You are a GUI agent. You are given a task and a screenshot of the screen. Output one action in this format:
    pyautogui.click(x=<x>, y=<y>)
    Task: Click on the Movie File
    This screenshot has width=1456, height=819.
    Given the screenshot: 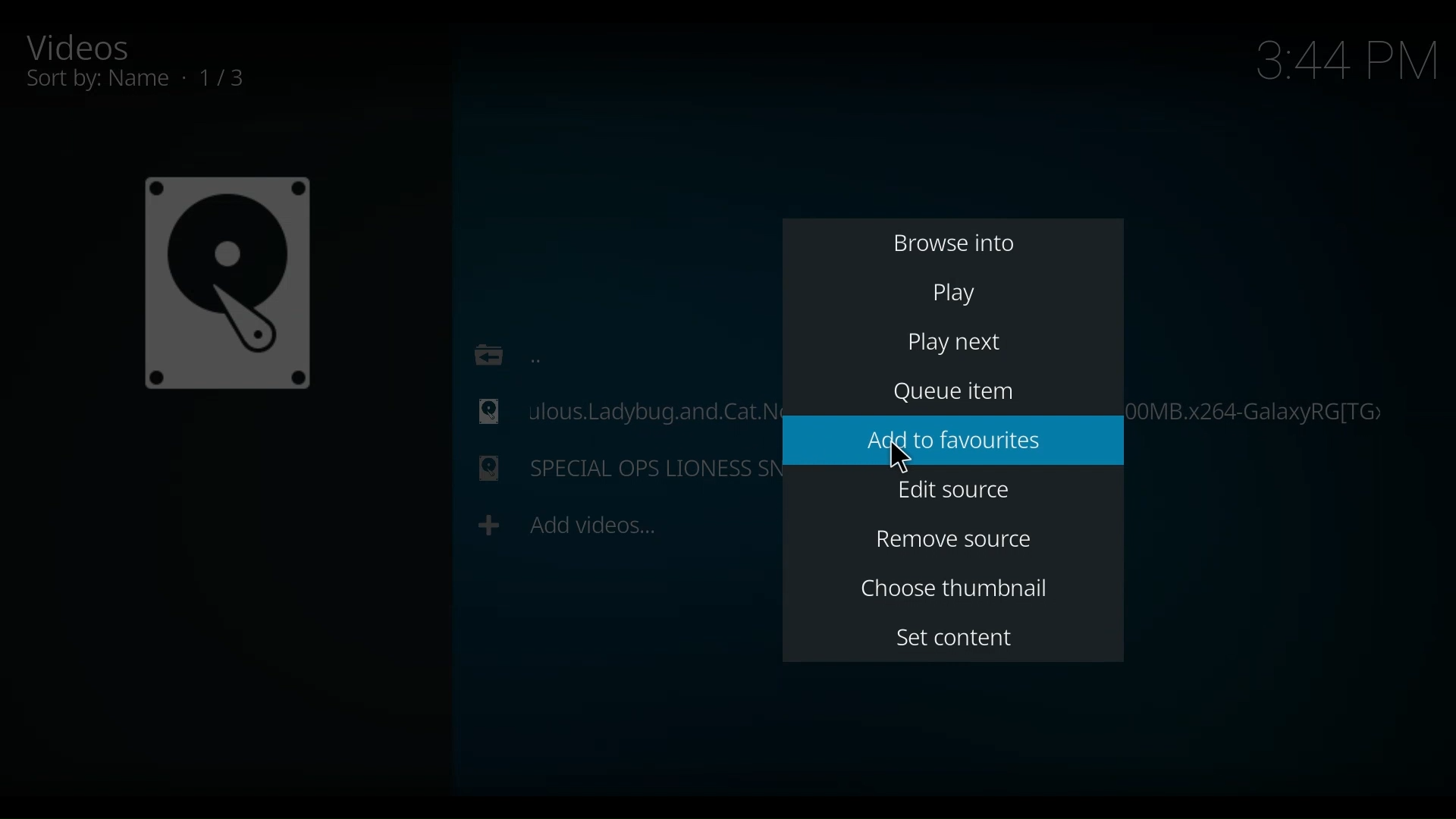 What is the action you would take?
    pyautogui.click(x=613, y=472)
    